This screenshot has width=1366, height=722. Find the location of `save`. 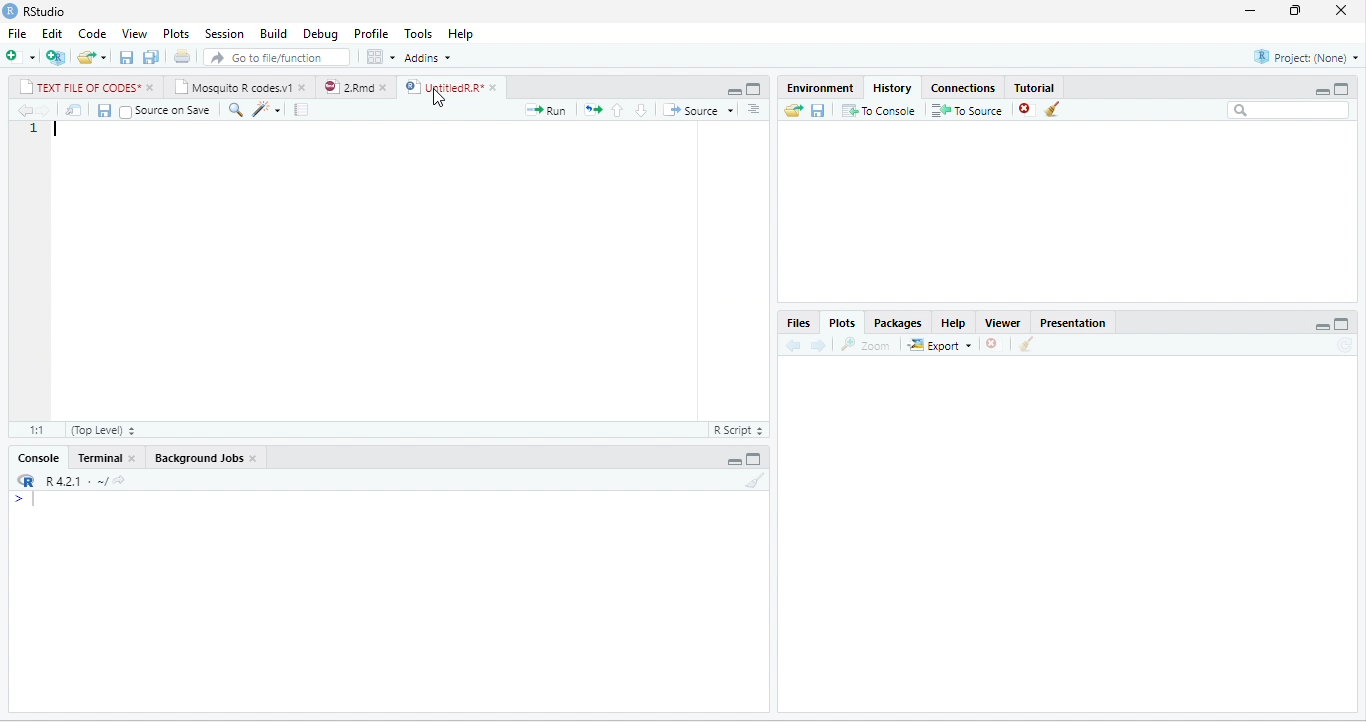

save is located at coordinates (128, 57).